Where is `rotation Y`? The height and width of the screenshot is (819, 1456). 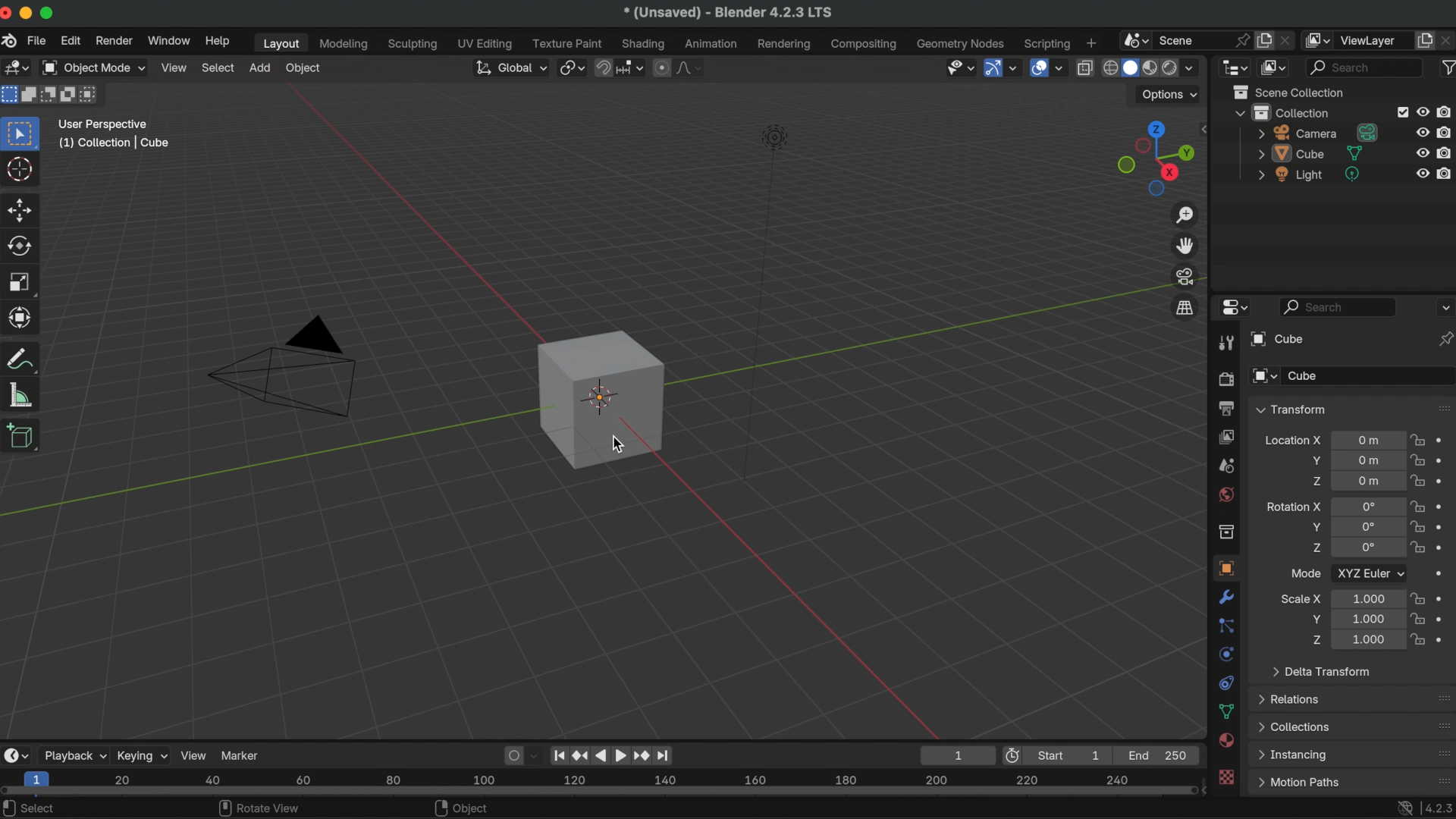
rotation Y is located at coordinates (1314, 527).